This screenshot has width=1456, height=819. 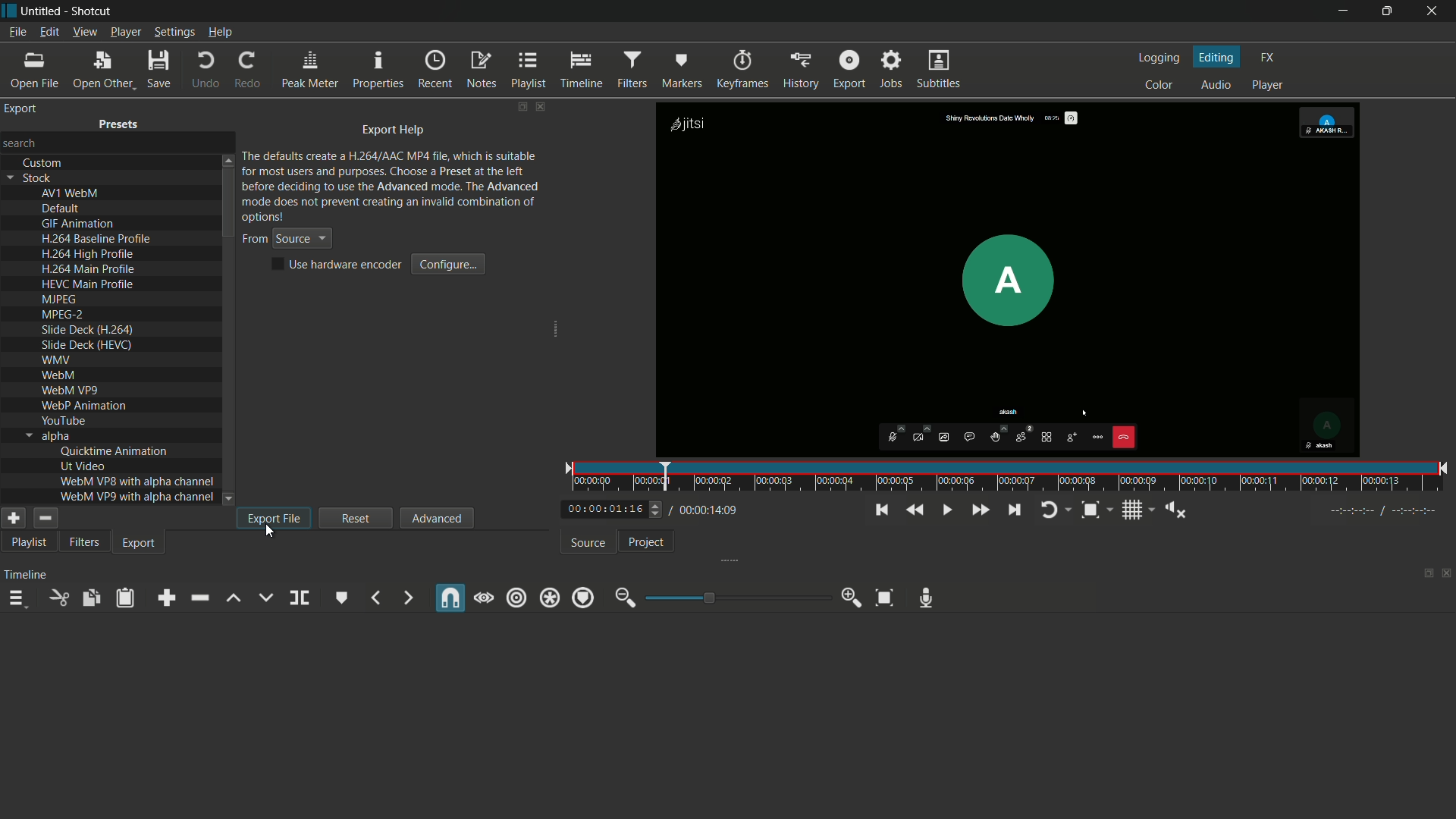 I want to click on filters, so click(x=84, y=541).